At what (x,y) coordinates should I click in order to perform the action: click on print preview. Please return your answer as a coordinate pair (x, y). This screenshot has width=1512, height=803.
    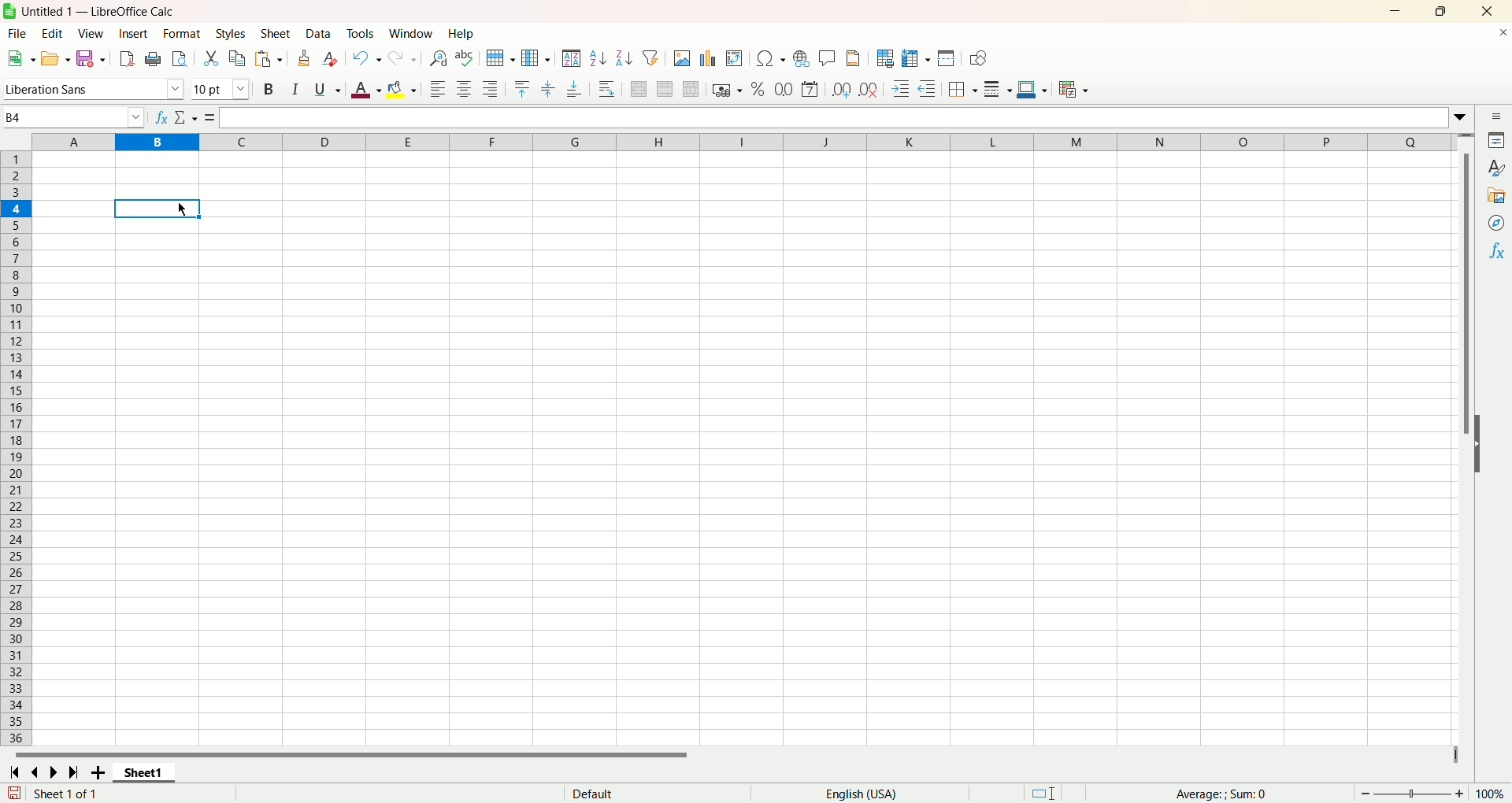
    Looking at the image, I should click on (179, 61).